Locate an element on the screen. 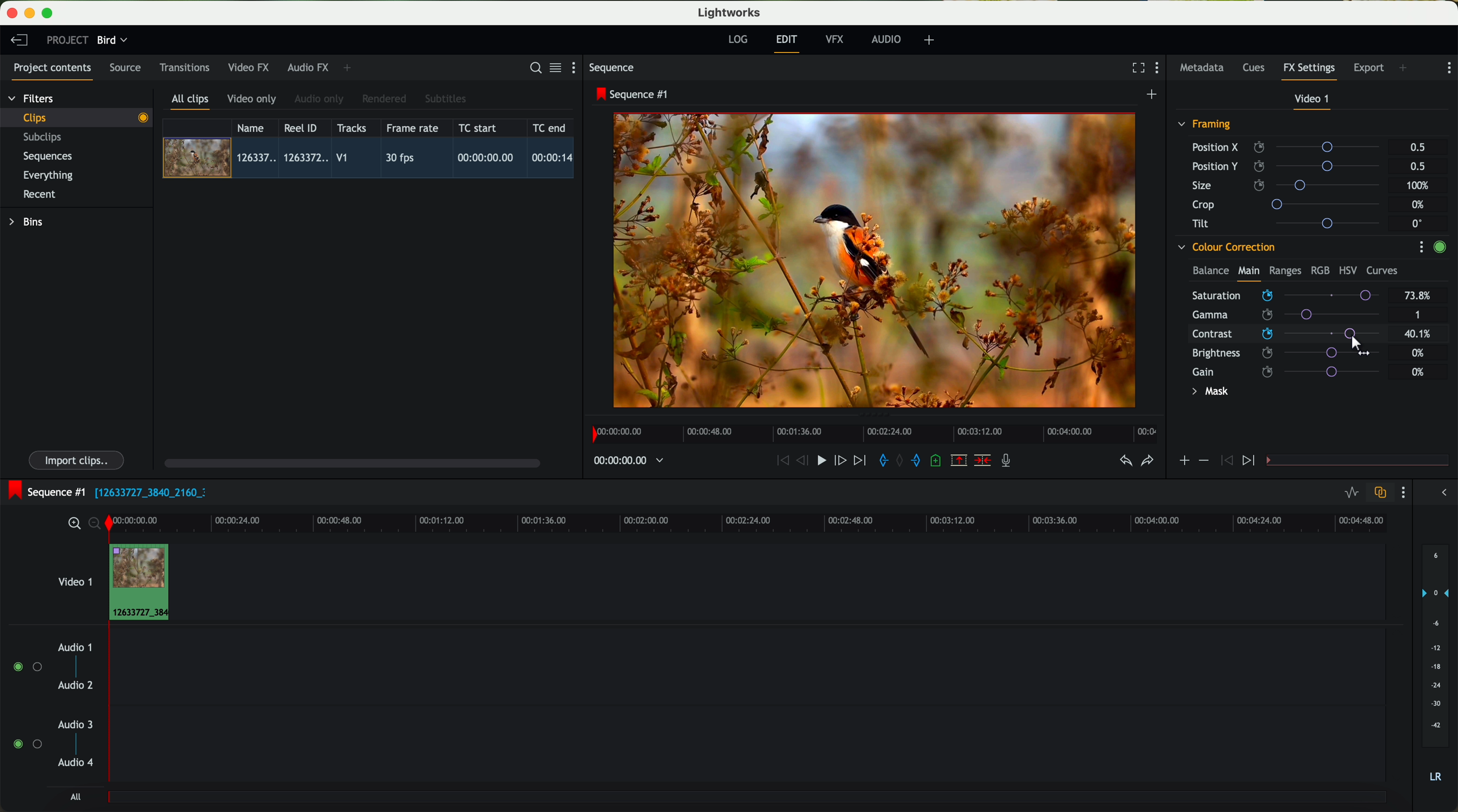 This screenshot has height=812, width=1458. source is located at coordinates (125, 68).